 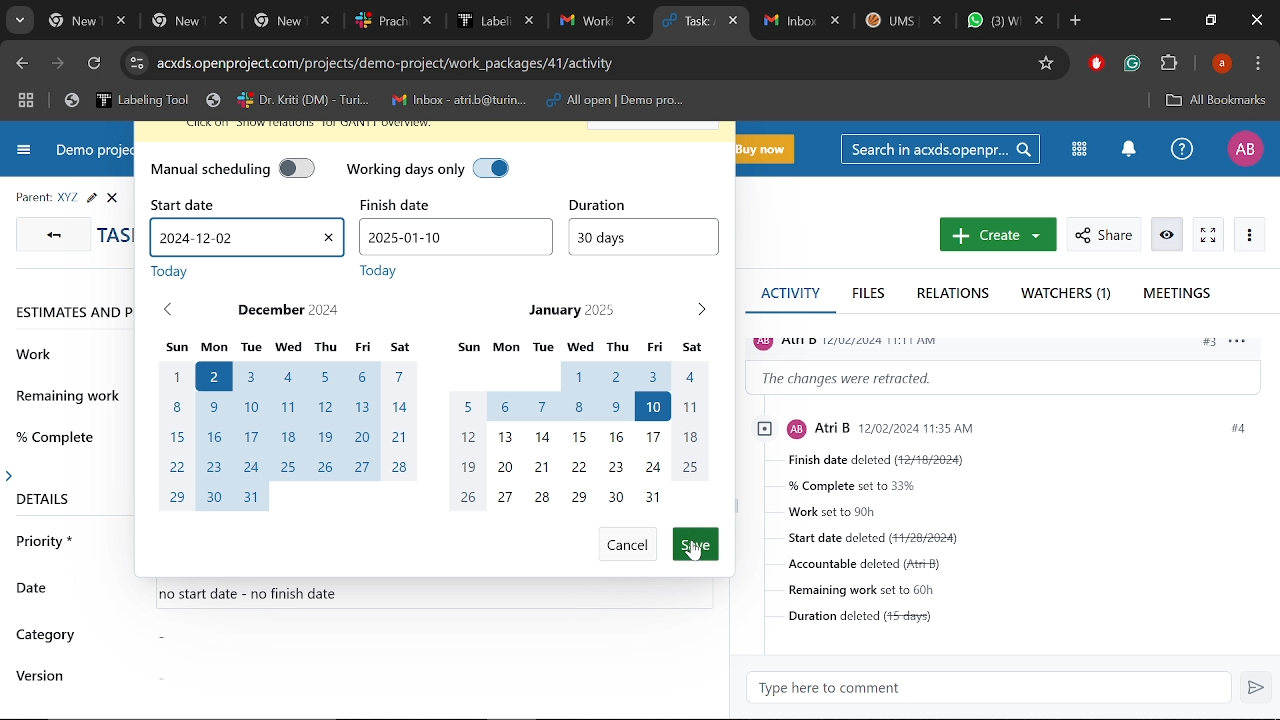 What do you see at coordinates (1026, 548) in the screenshot?
I see `Task details` at bounding box center [1026, 548].